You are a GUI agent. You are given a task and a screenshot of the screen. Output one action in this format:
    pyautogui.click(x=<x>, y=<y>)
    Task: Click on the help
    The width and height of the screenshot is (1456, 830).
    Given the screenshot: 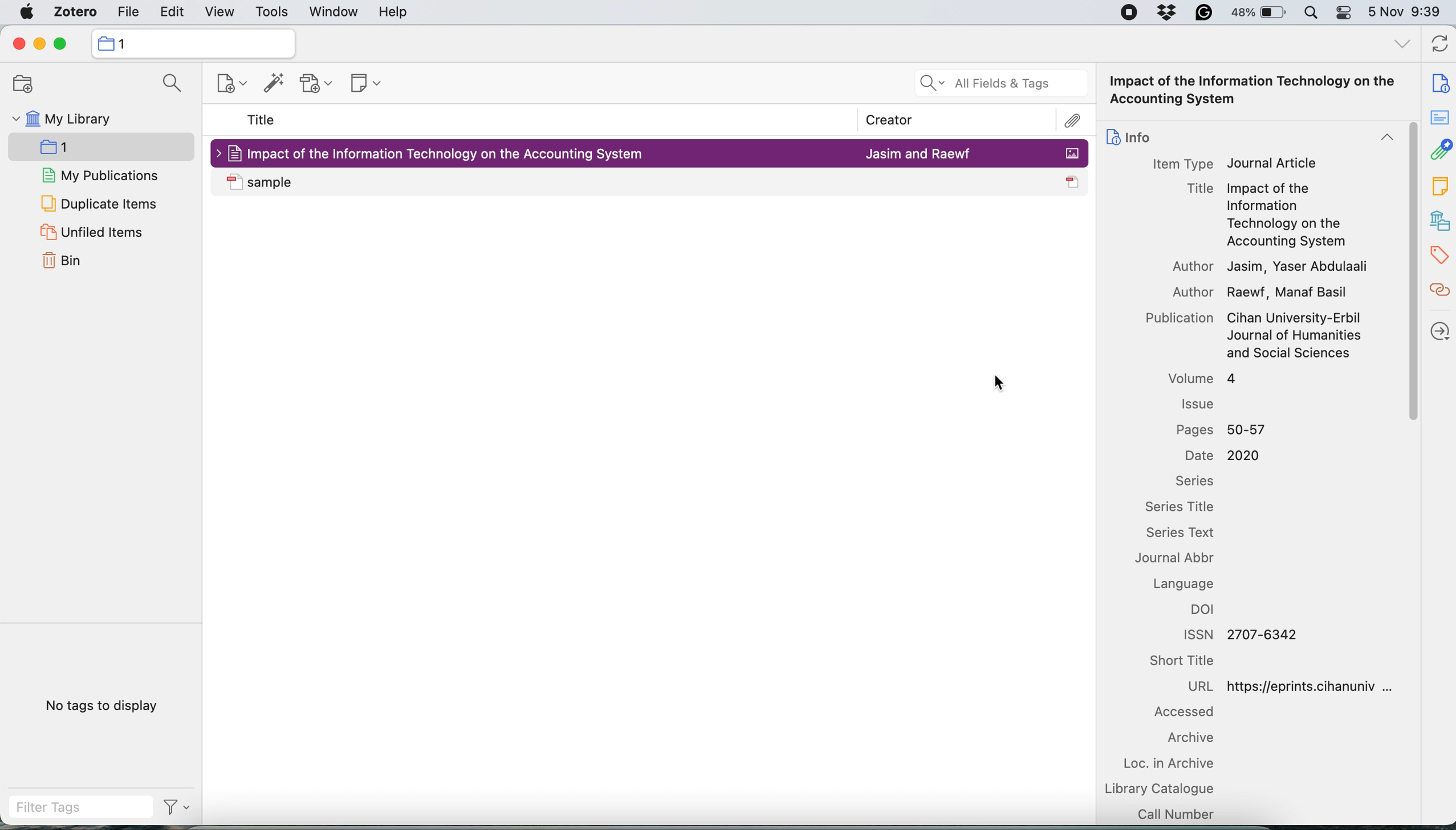 What is the action you would take?
    pyautogui.click(x=393, y=13)
    